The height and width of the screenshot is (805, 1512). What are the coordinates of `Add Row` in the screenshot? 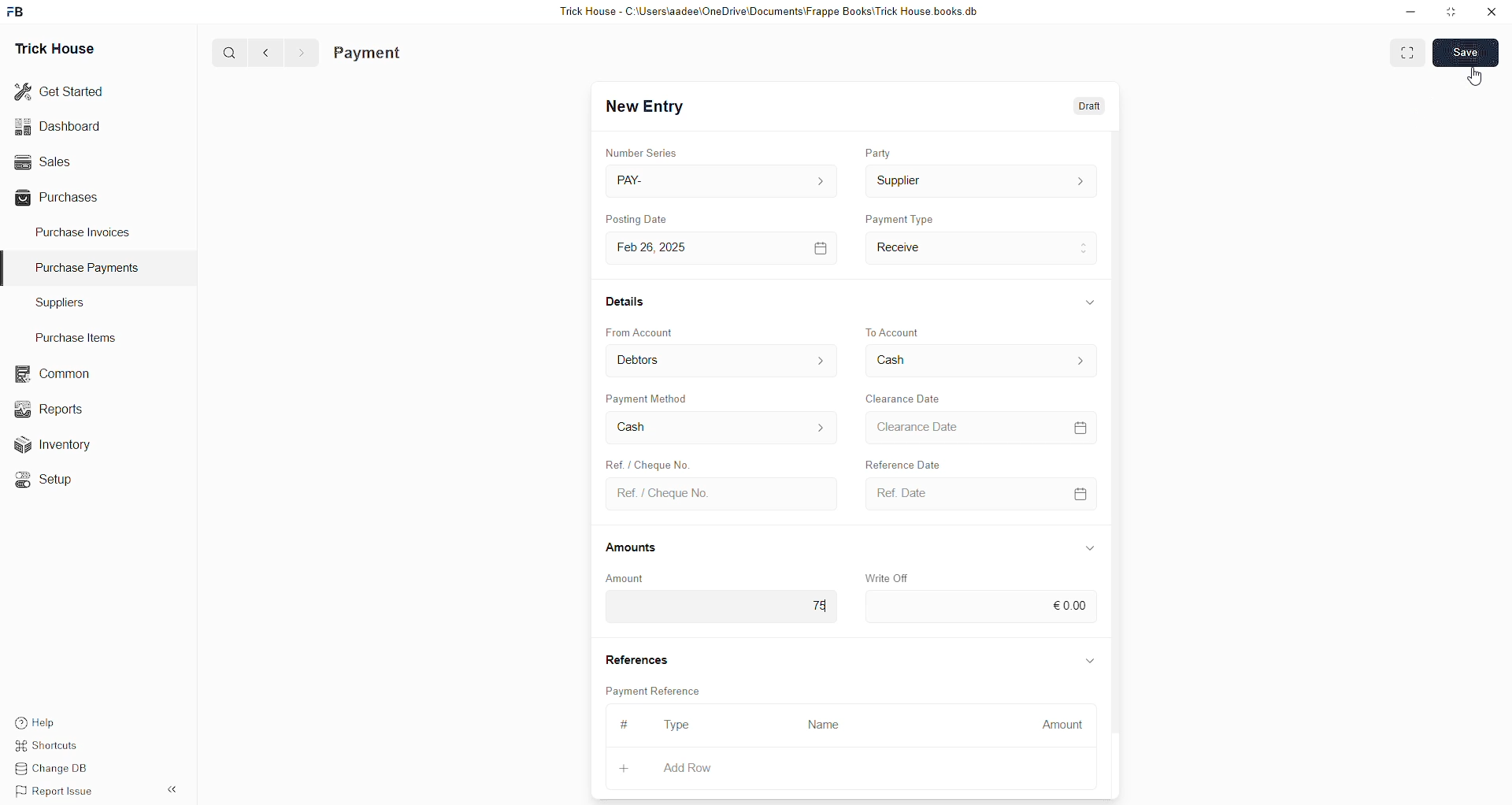 It's located at (687, 767).